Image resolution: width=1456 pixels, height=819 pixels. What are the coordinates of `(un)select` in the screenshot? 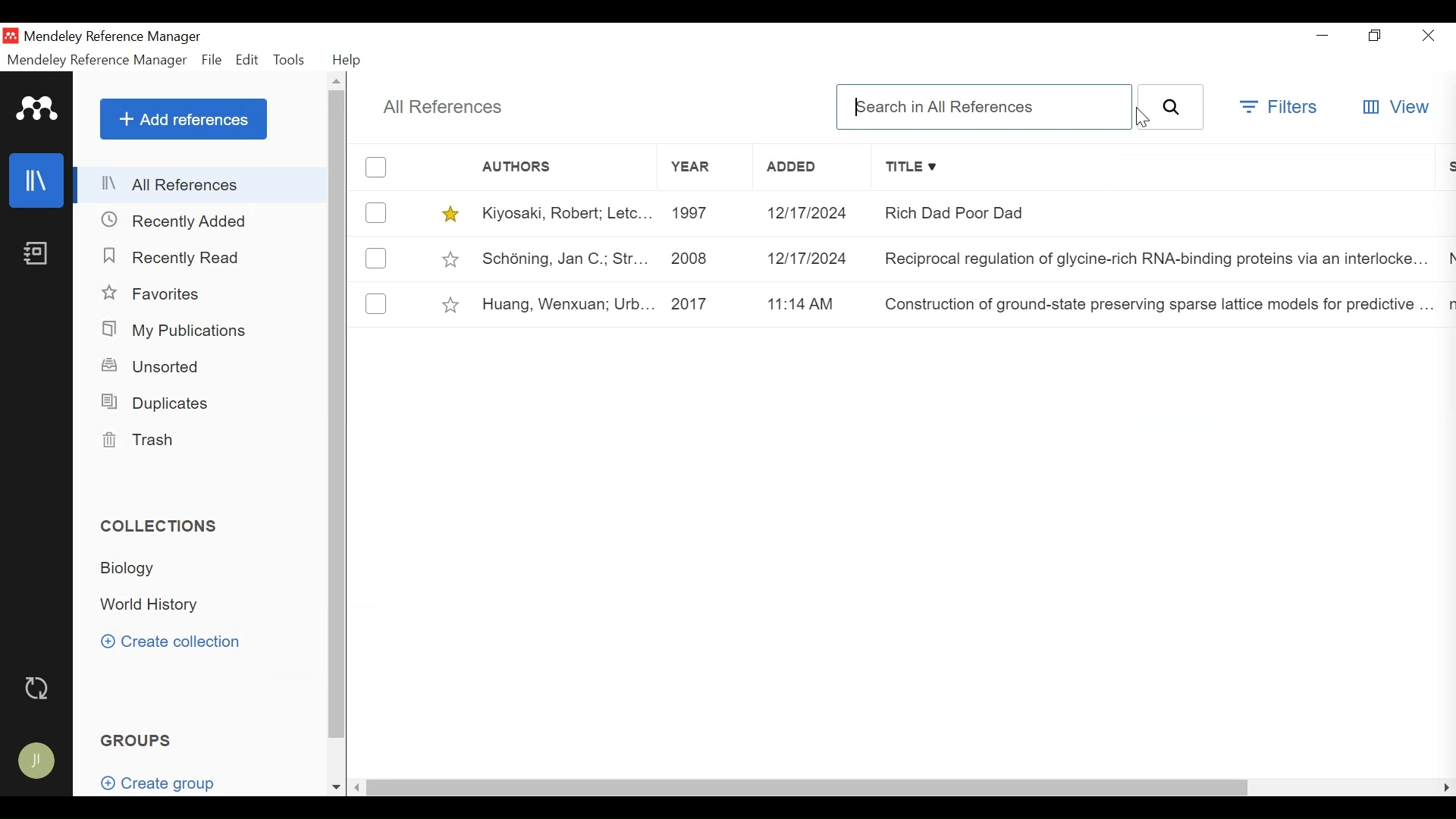 It's located at (375, 212).